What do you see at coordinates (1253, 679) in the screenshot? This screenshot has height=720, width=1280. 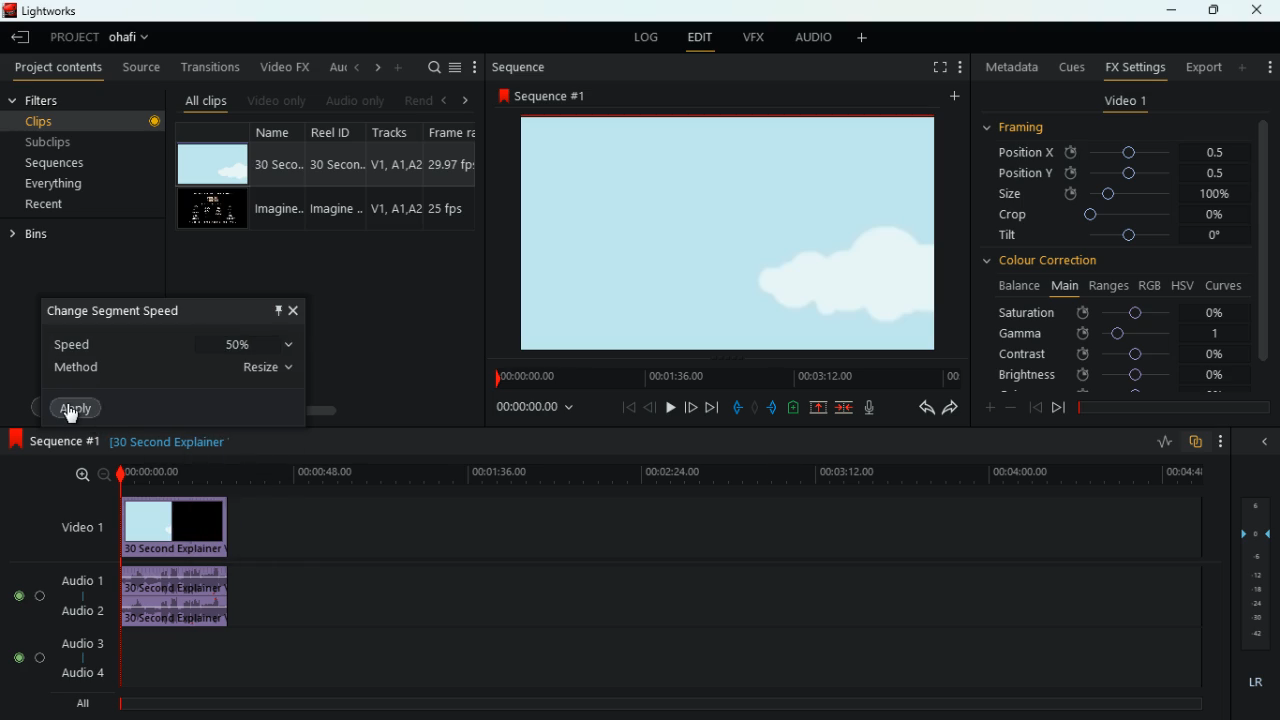 I see `lr` at bounding box center [1253, 679].